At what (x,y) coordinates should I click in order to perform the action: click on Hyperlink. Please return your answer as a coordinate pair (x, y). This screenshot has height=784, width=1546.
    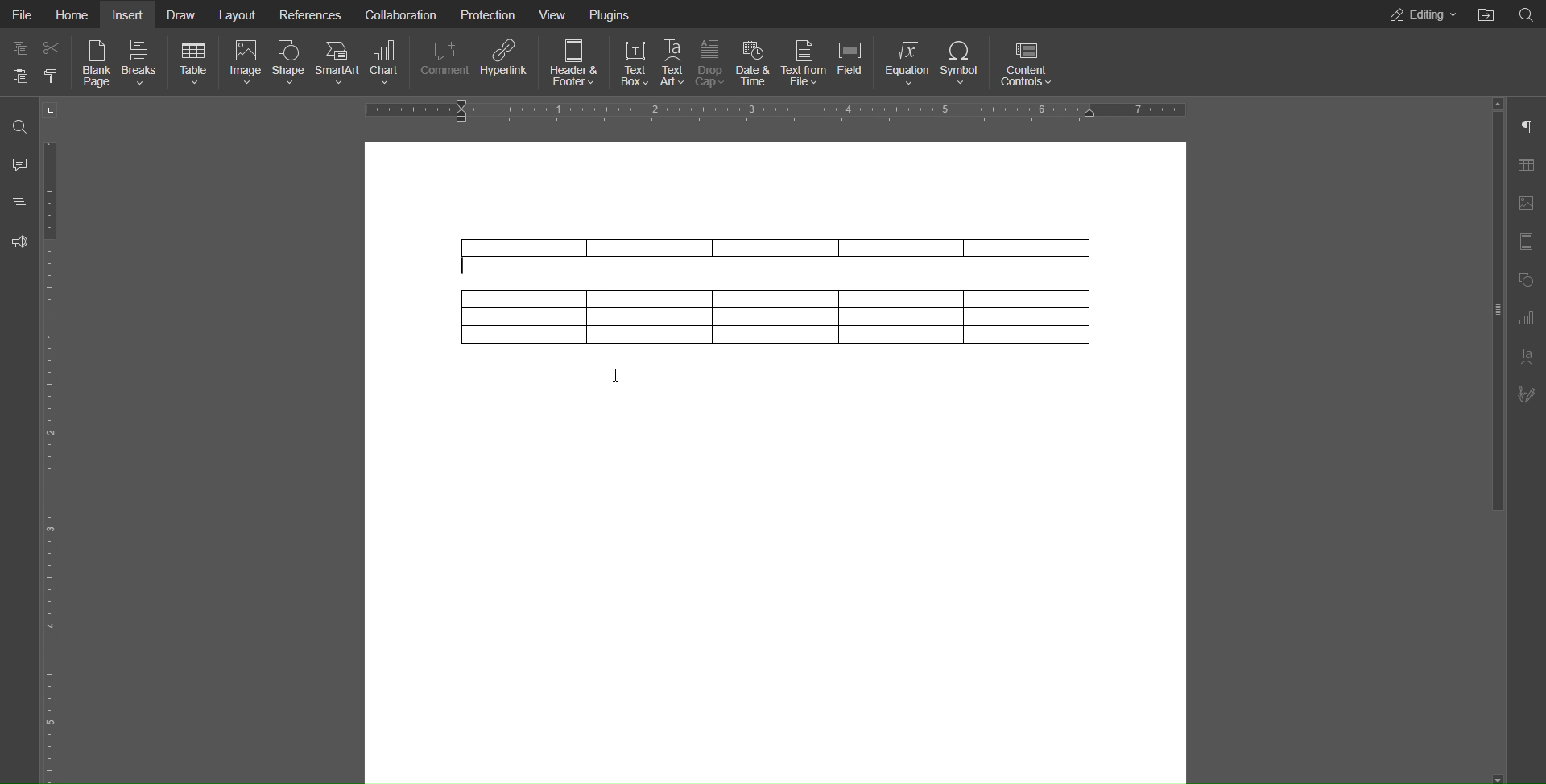
    Looking at the image, I should click on (506, 65).